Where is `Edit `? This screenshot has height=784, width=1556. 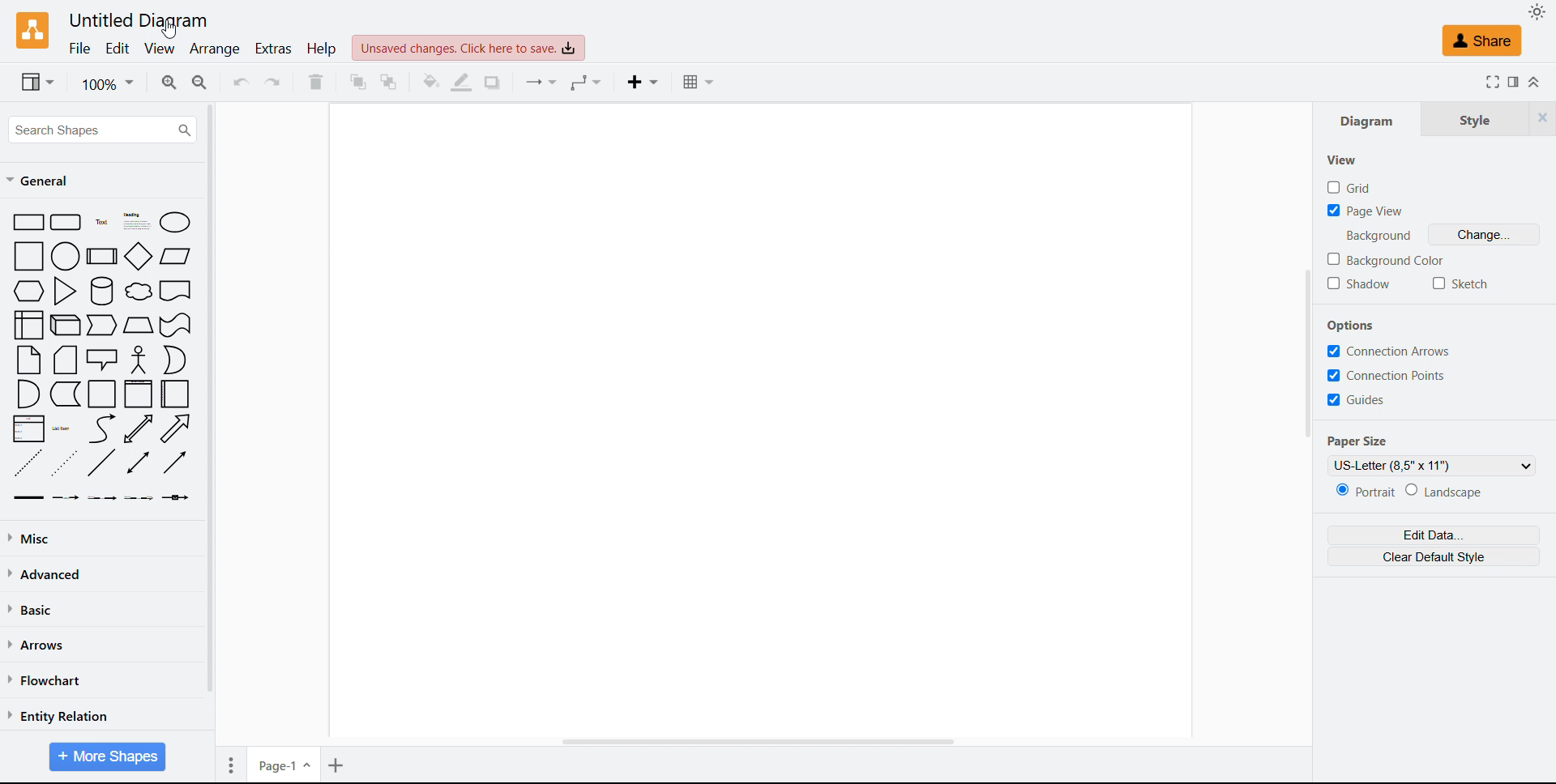
Edit  is located at coordinates (118, 50).